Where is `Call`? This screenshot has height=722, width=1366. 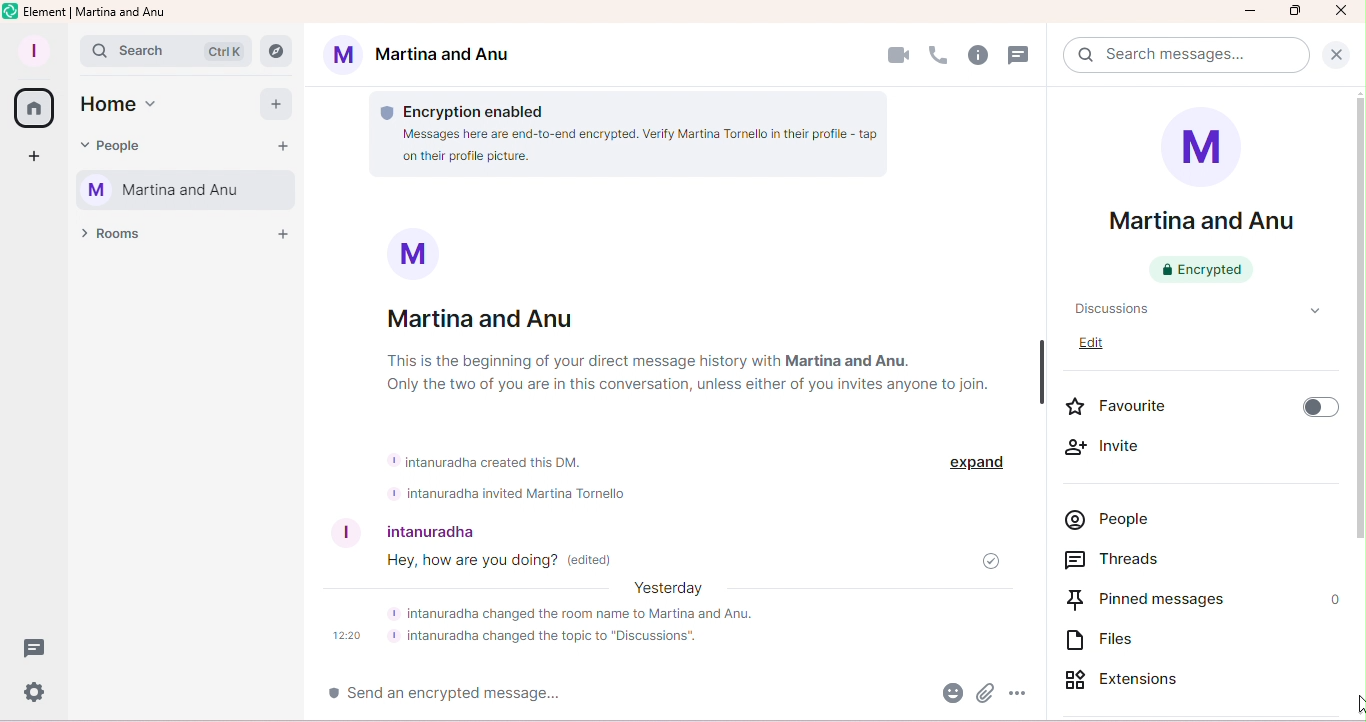
Call is located at coordinates (938, 56).